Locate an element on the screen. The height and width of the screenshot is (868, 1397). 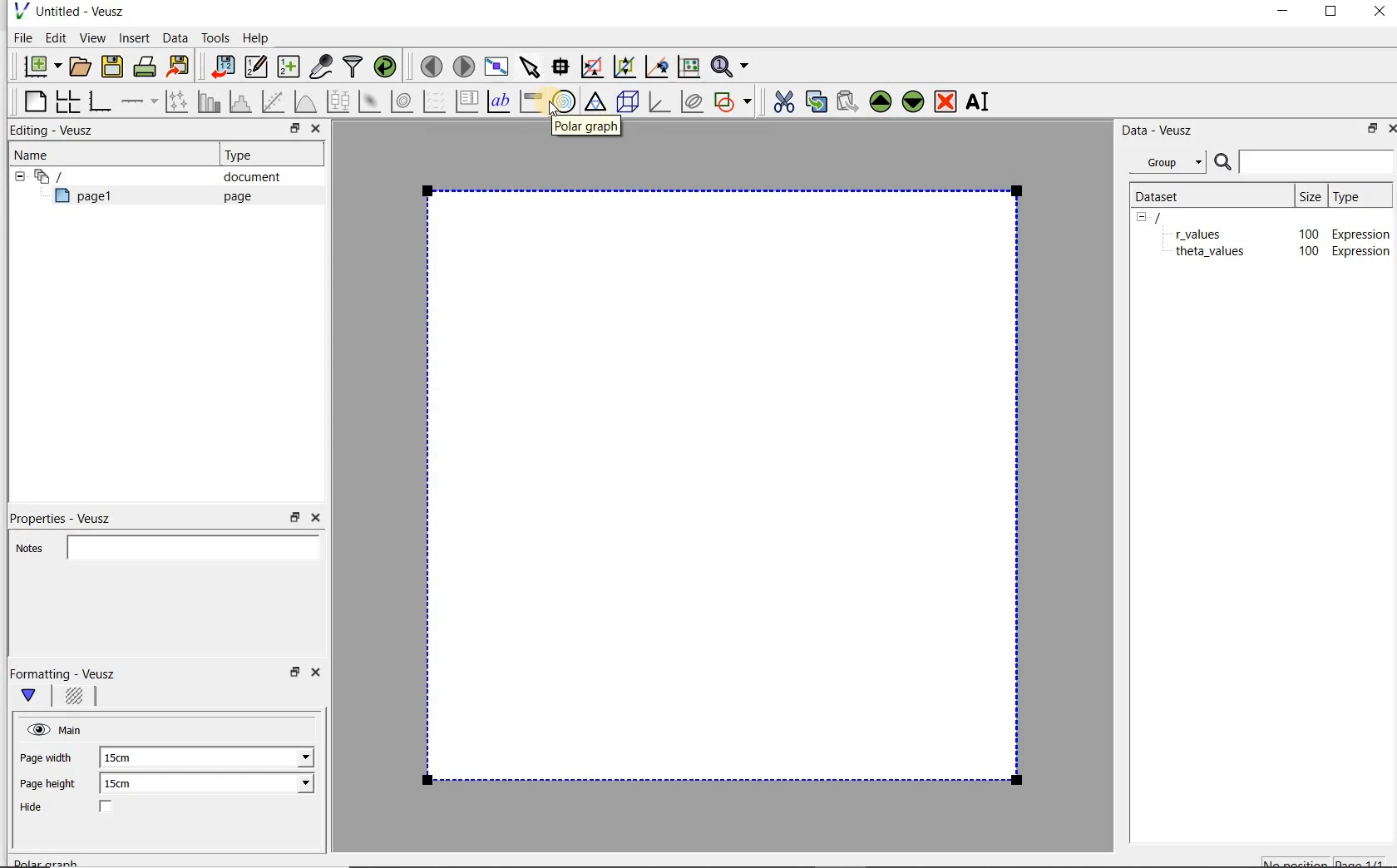
Fit a function to data is located at coordinates (275, 101).